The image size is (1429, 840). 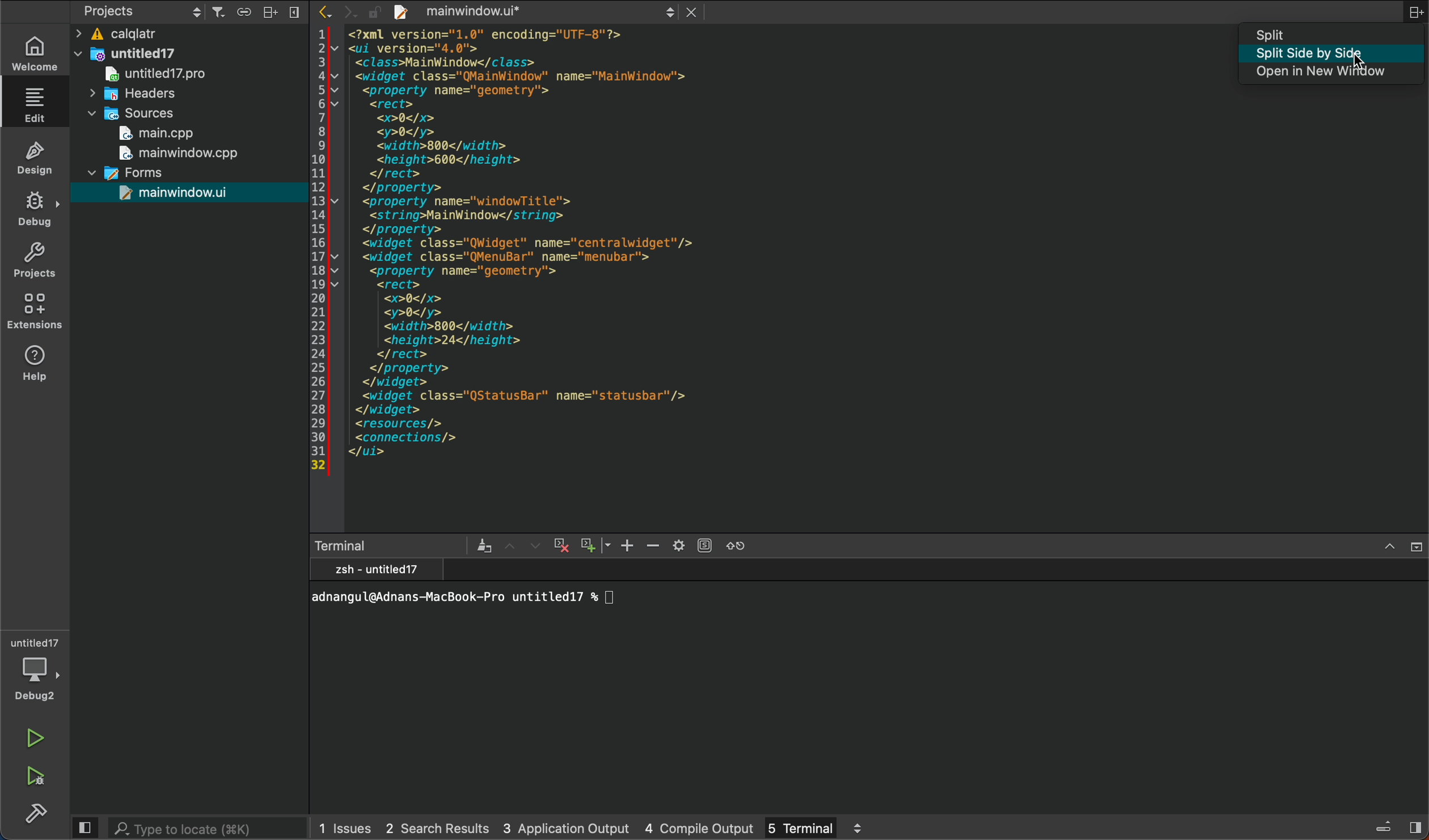 What do you see at coordinates (161, 35) in the screenshot?
I see `calqlatr` at bounding box center [161, 35].